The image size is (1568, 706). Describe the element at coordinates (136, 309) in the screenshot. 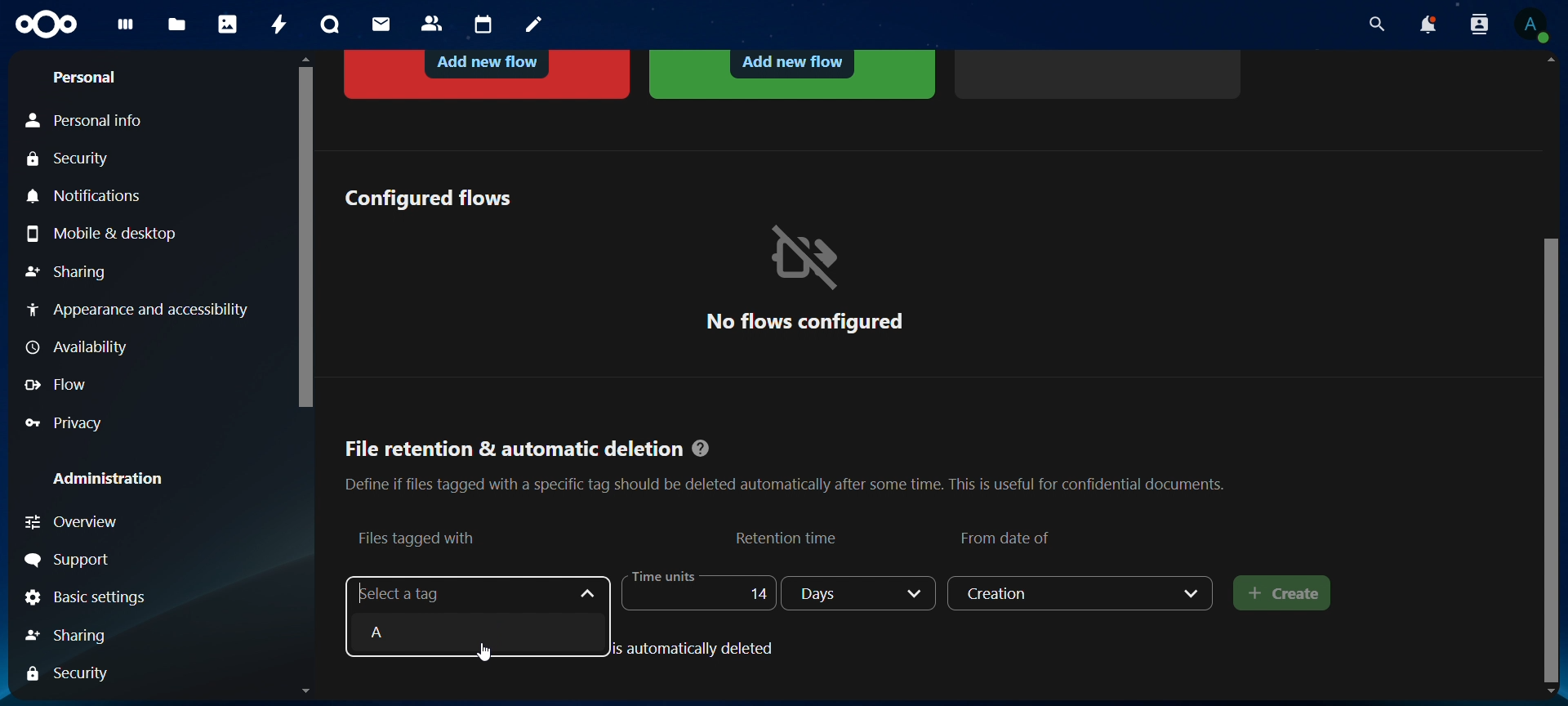

I see `appearance and accessibility` at that location.